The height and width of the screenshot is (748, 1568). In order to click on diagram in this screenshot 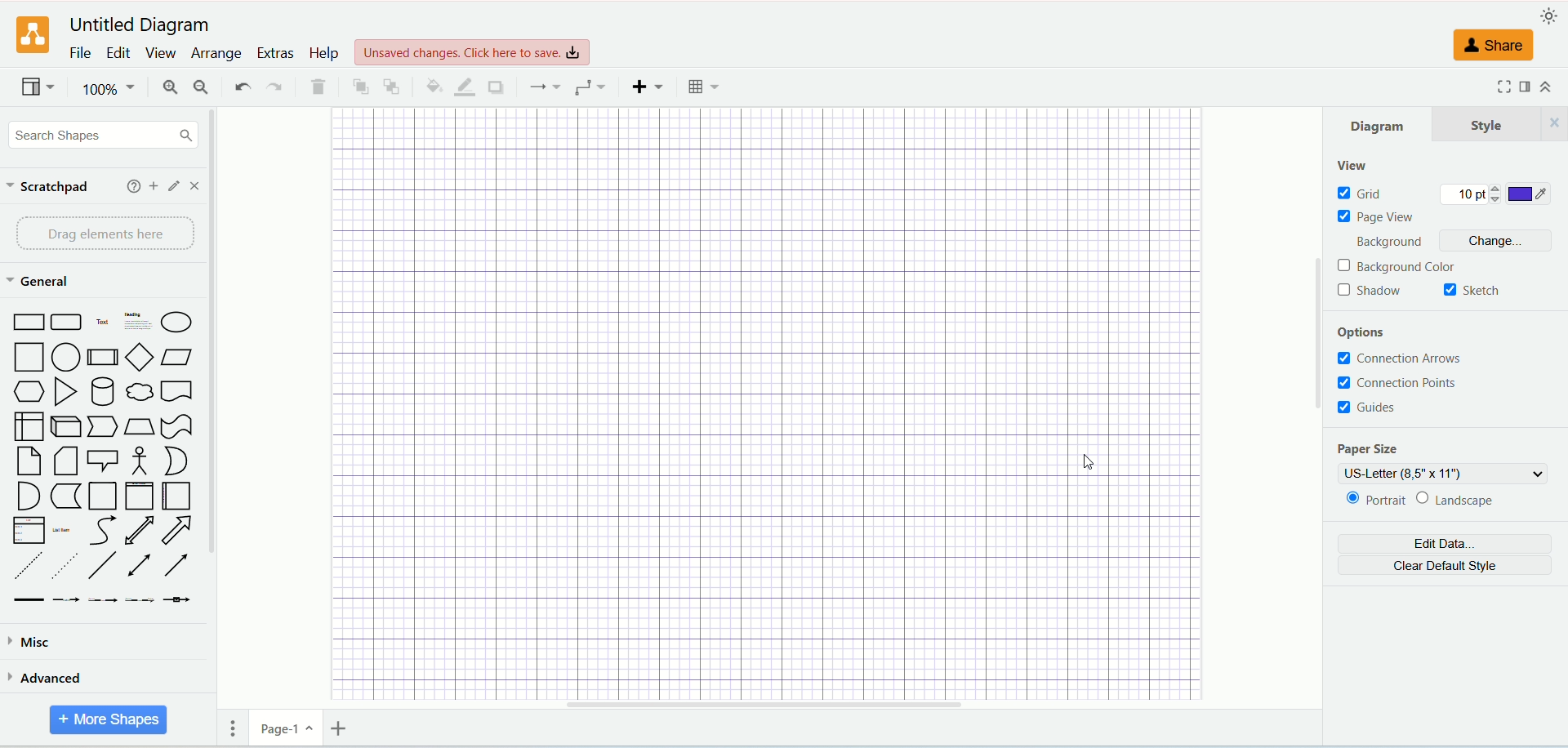, I will do `click(1380, 127)`.